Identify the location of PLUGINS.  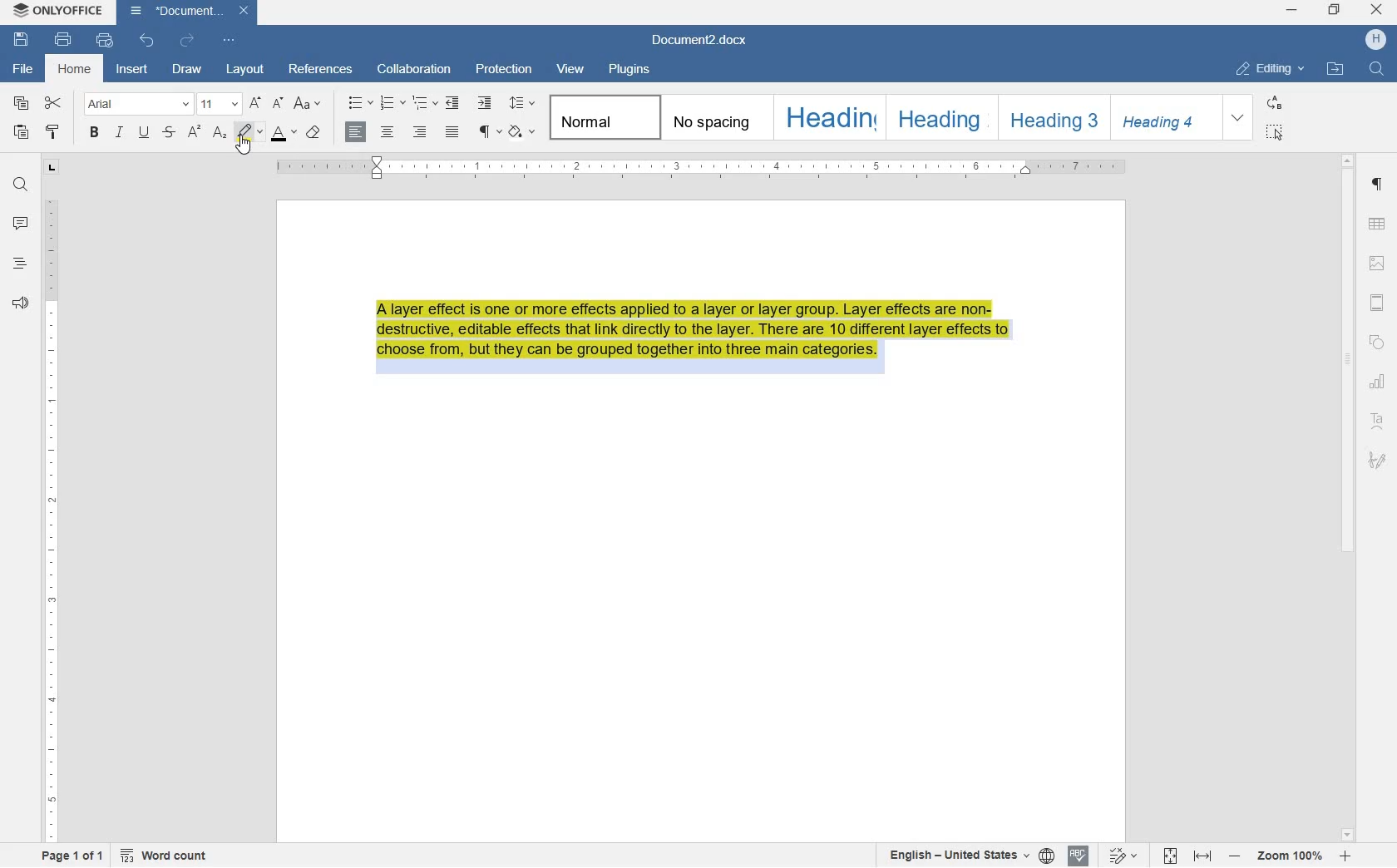
(627, 71).